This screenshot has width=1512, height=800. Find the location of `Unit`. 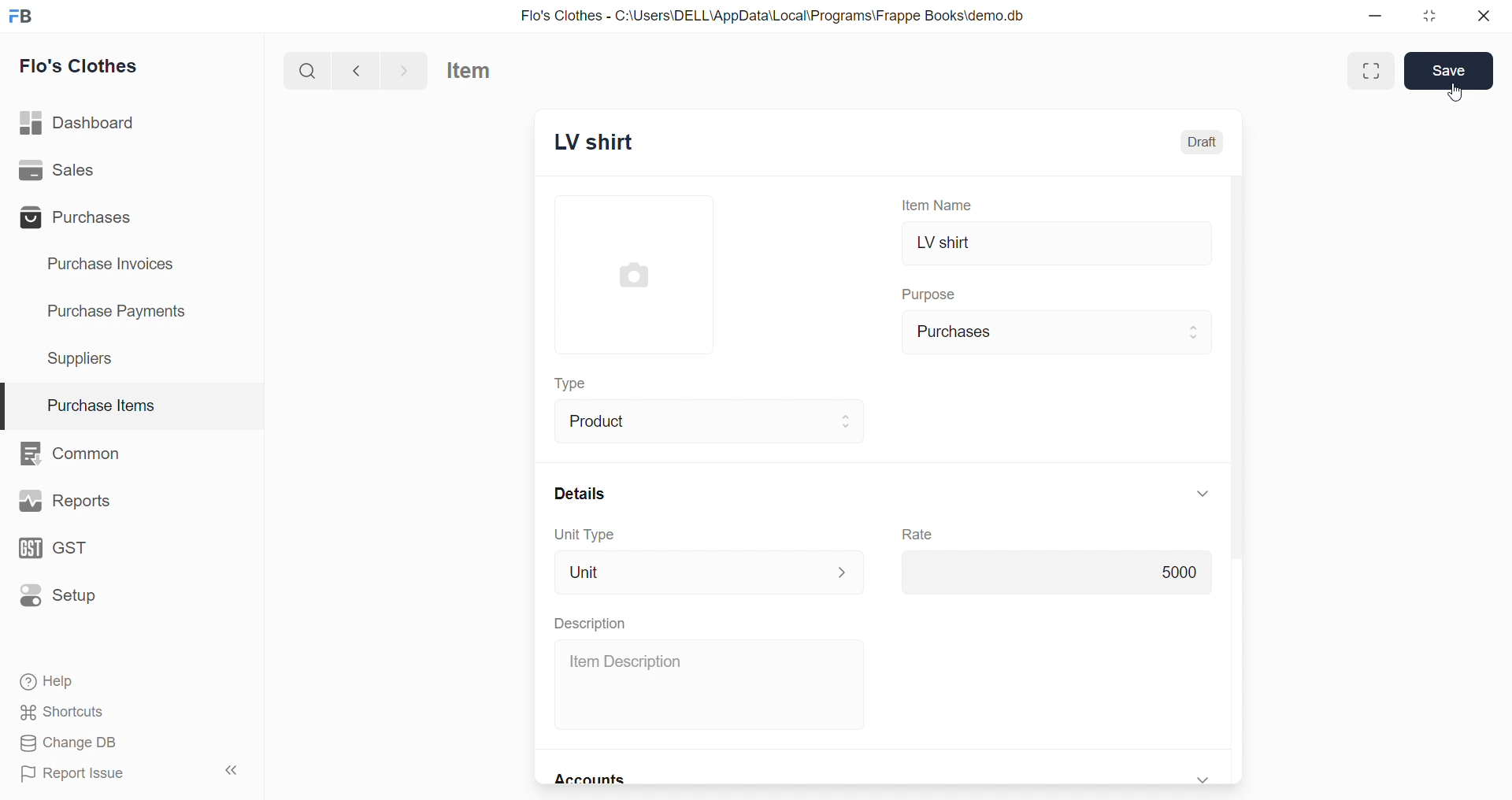

Unit is located at coordinates (710, 572).